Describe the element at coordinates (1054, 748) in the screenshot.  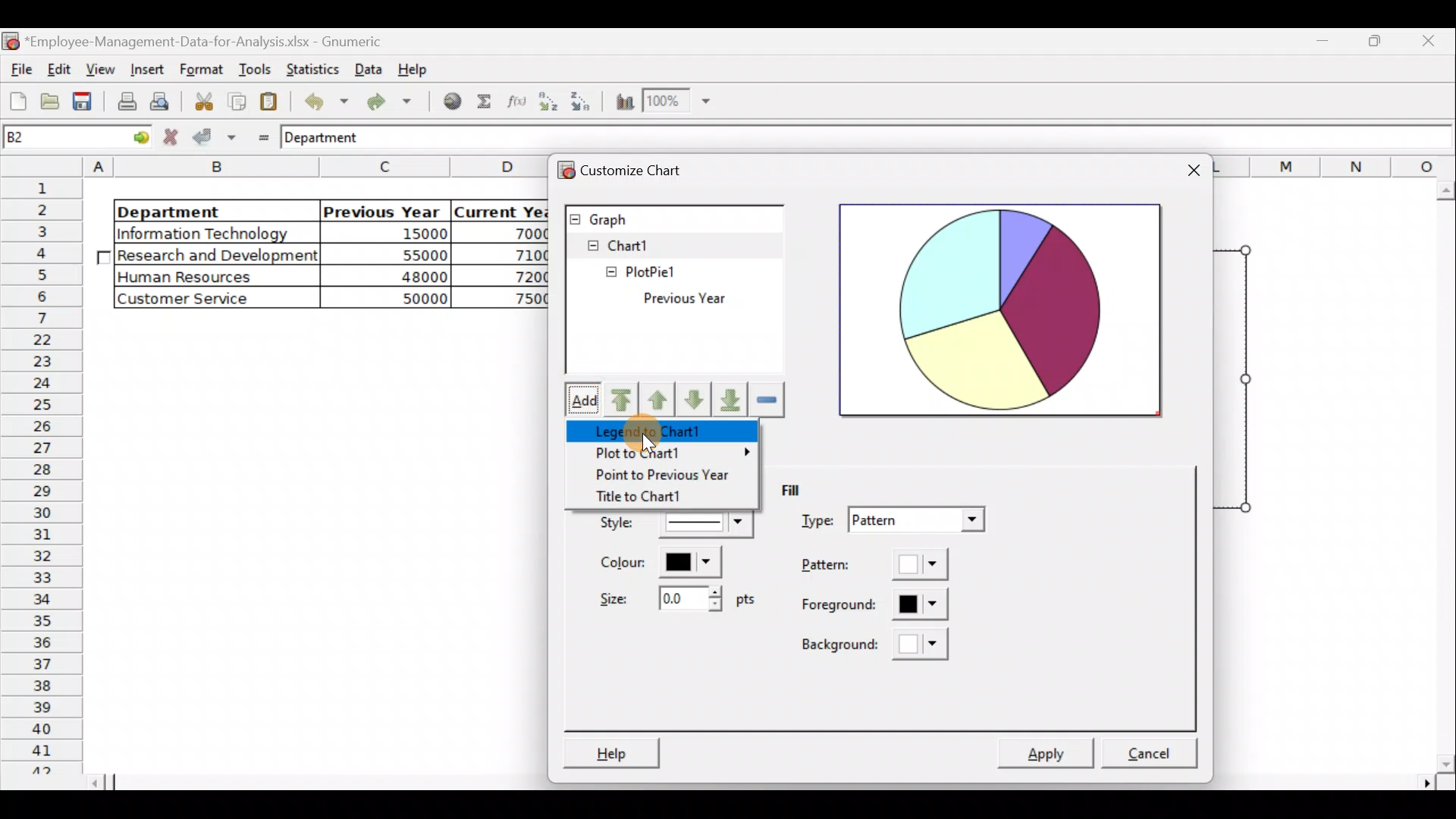
I see `Apply` at that location.